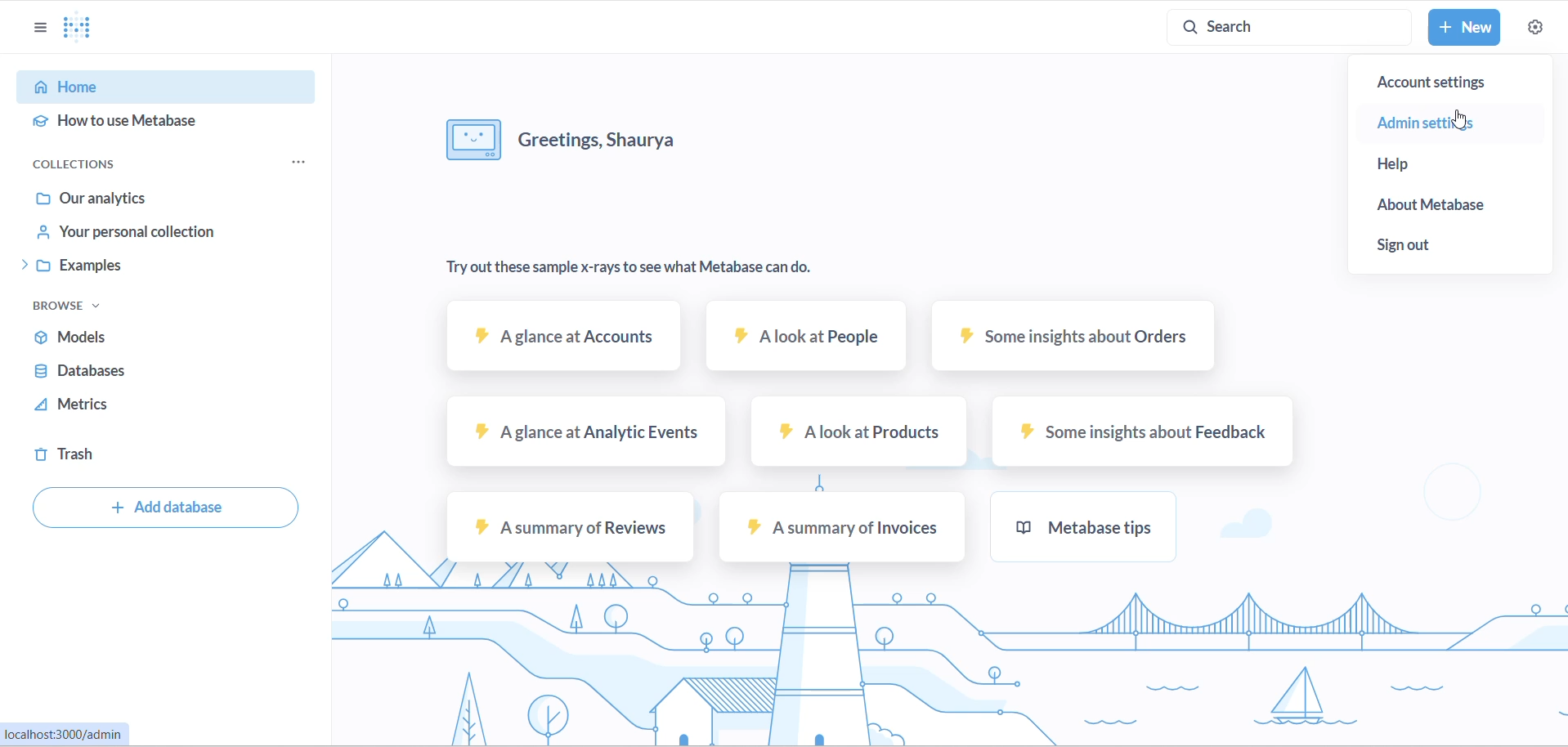 Image resolution: width=1568 pixels, height=747 pixels. I want to click on your personal collection, so click(145, 235).